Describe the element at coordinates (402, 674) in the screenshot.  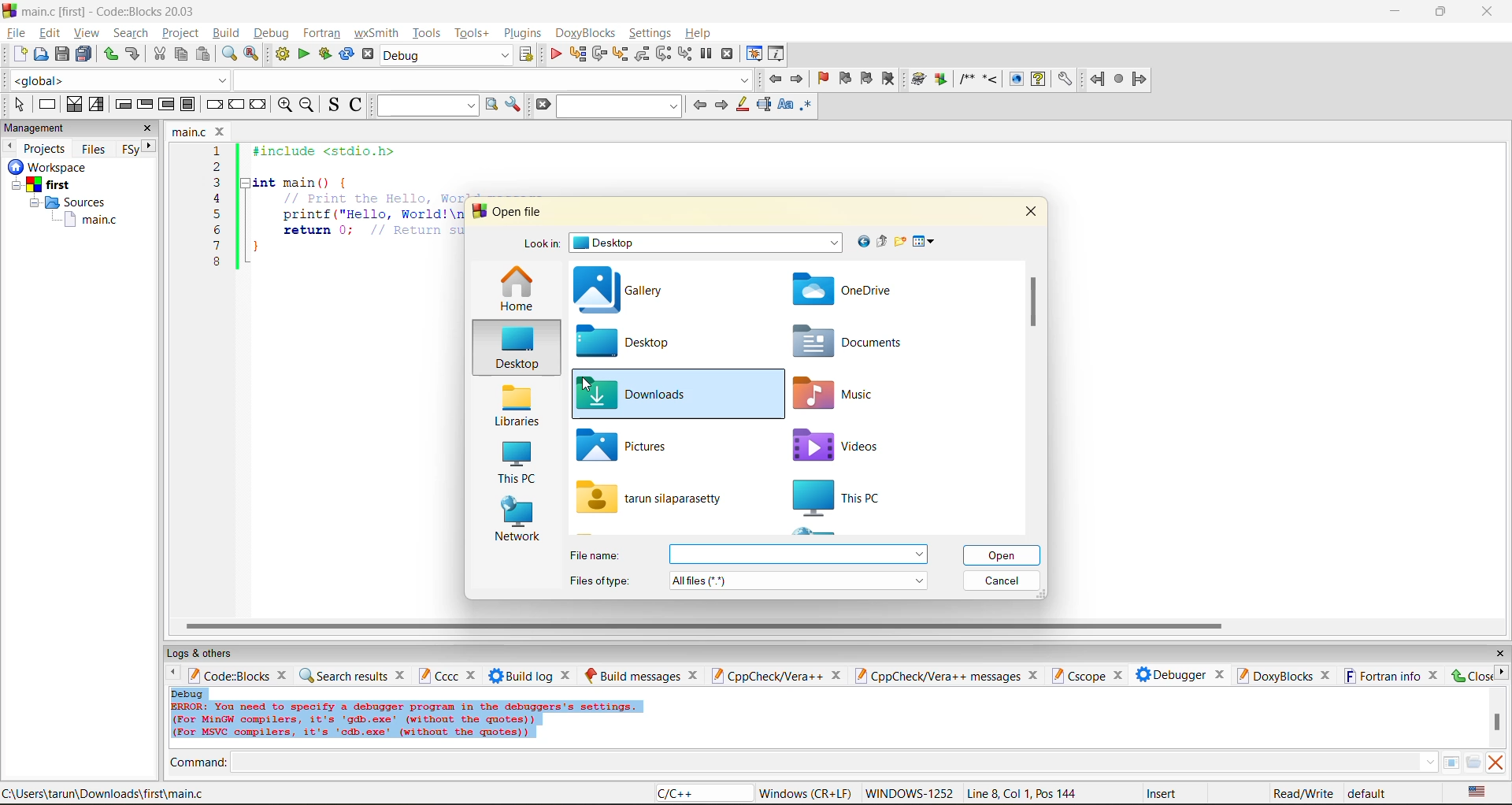
I see `close` at that location.